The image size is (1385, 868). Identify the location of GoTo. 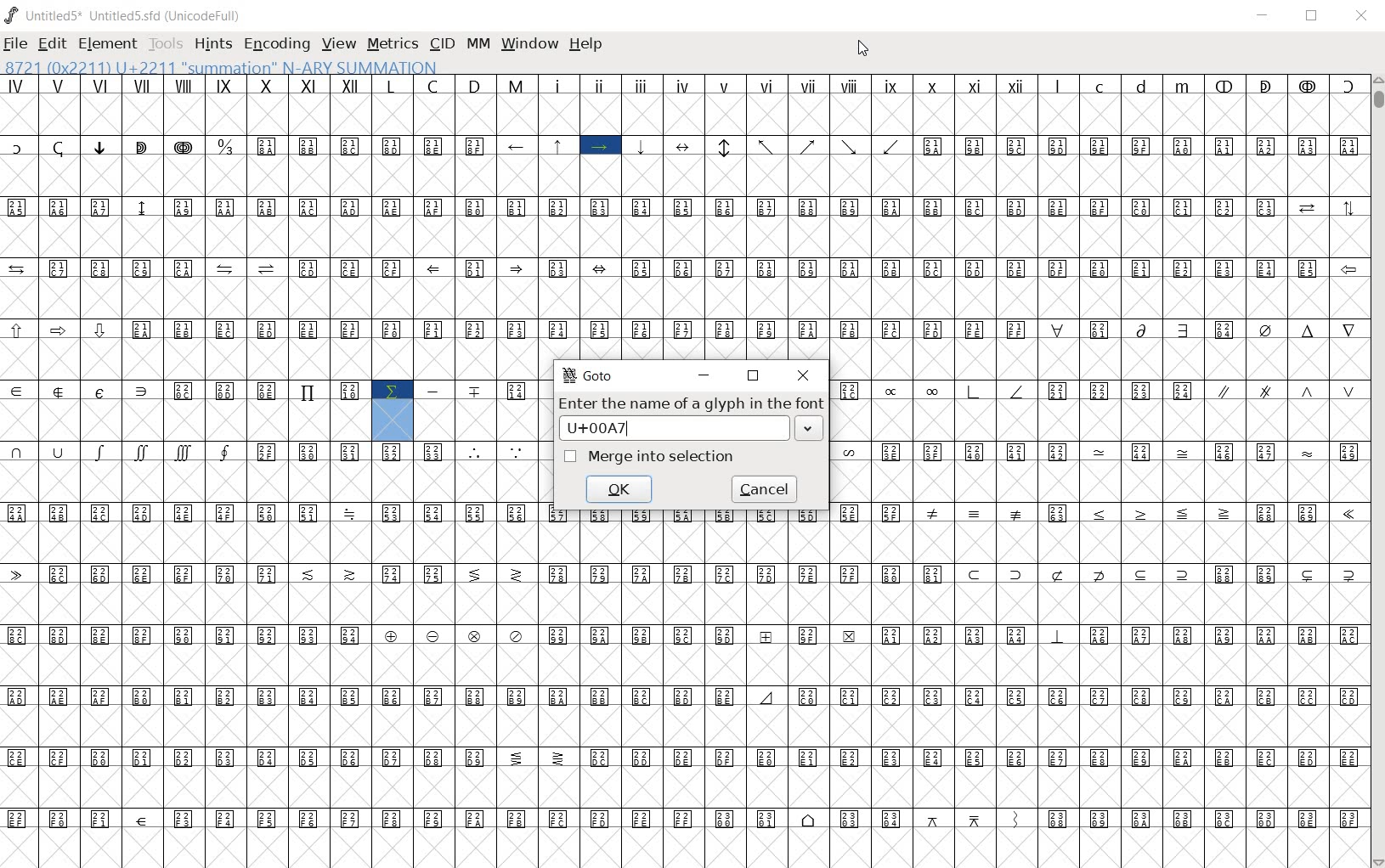
(587, 375).